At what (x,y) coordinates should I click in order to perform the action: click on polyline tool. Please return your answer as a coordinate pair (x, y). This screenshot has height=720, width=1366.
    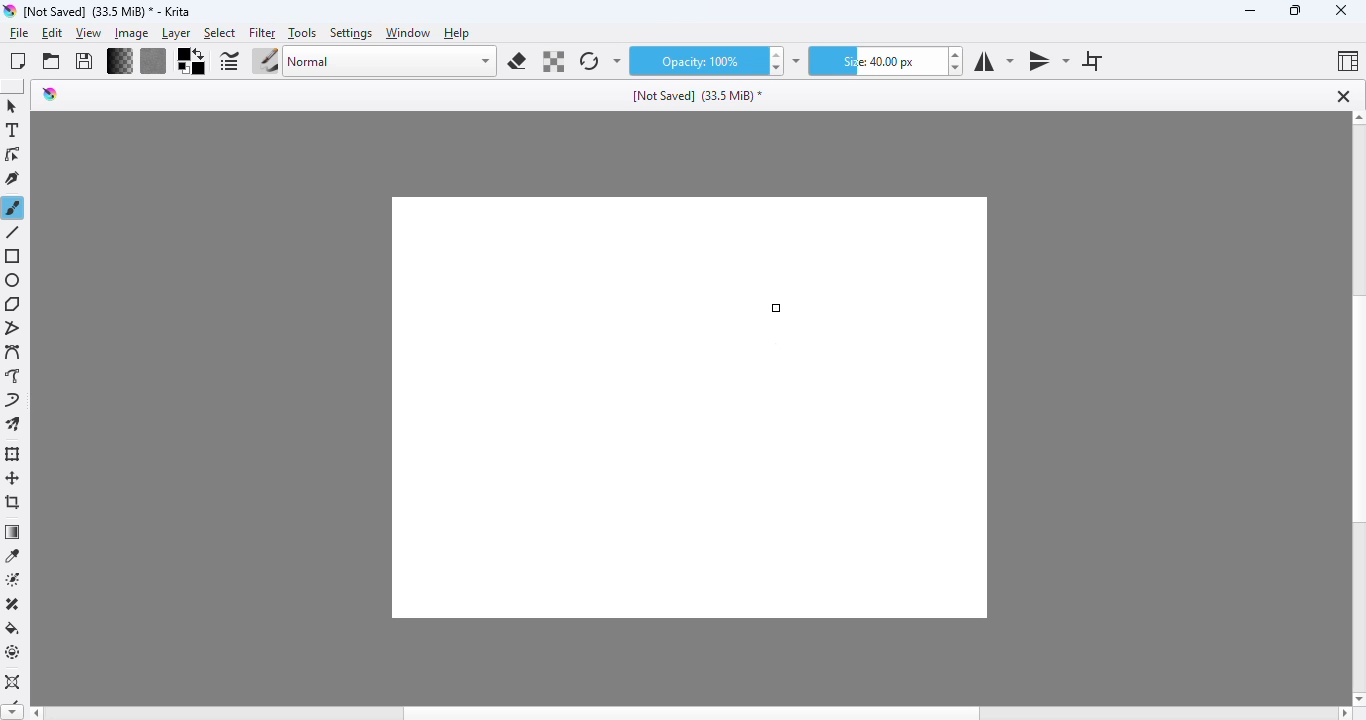
    Looking at the image, I should click on (13, 330).